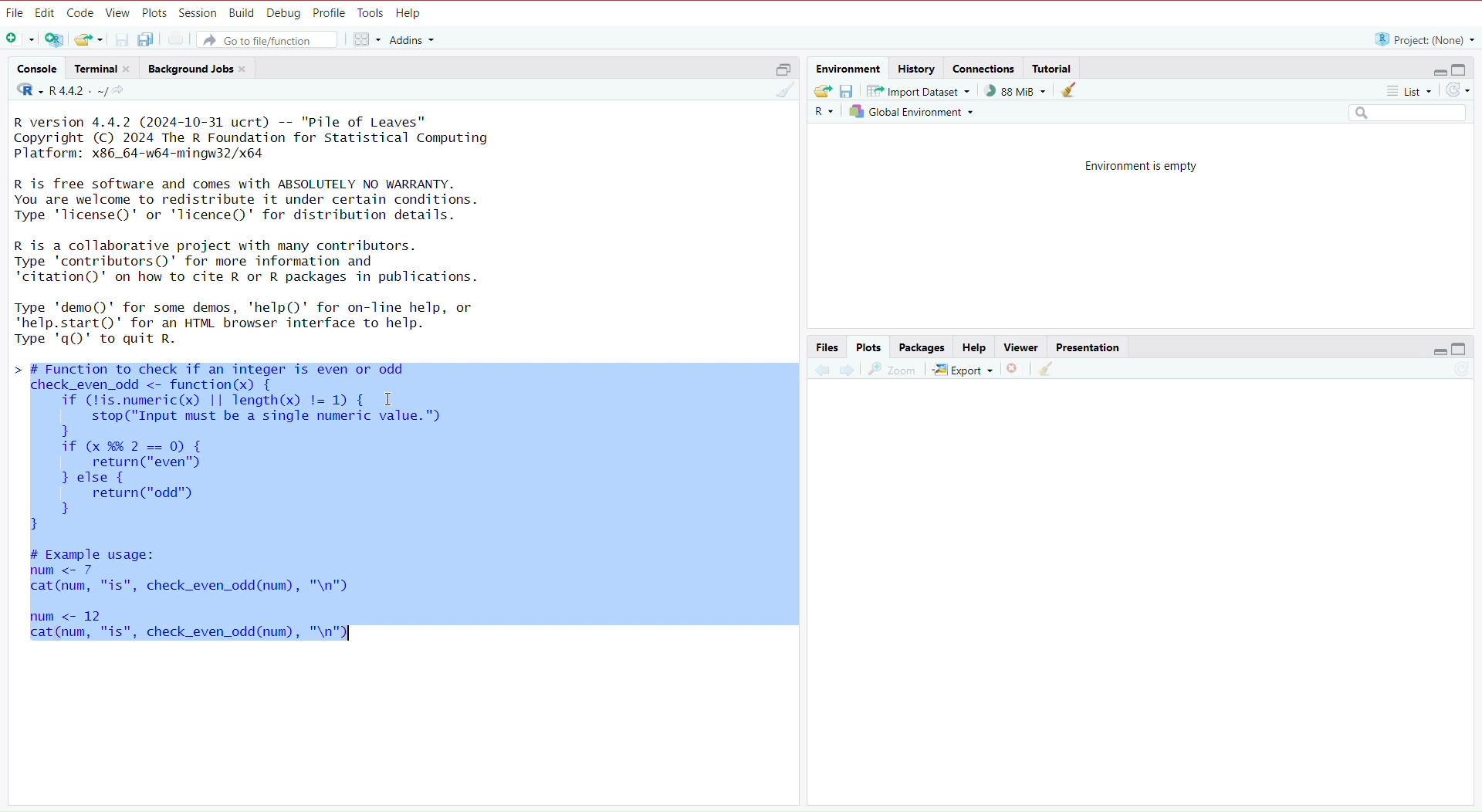 This screenshot has height=812, width=1482. Describe the element at coordinates (923, 347) in the screenshot. I see `packages` at that location.